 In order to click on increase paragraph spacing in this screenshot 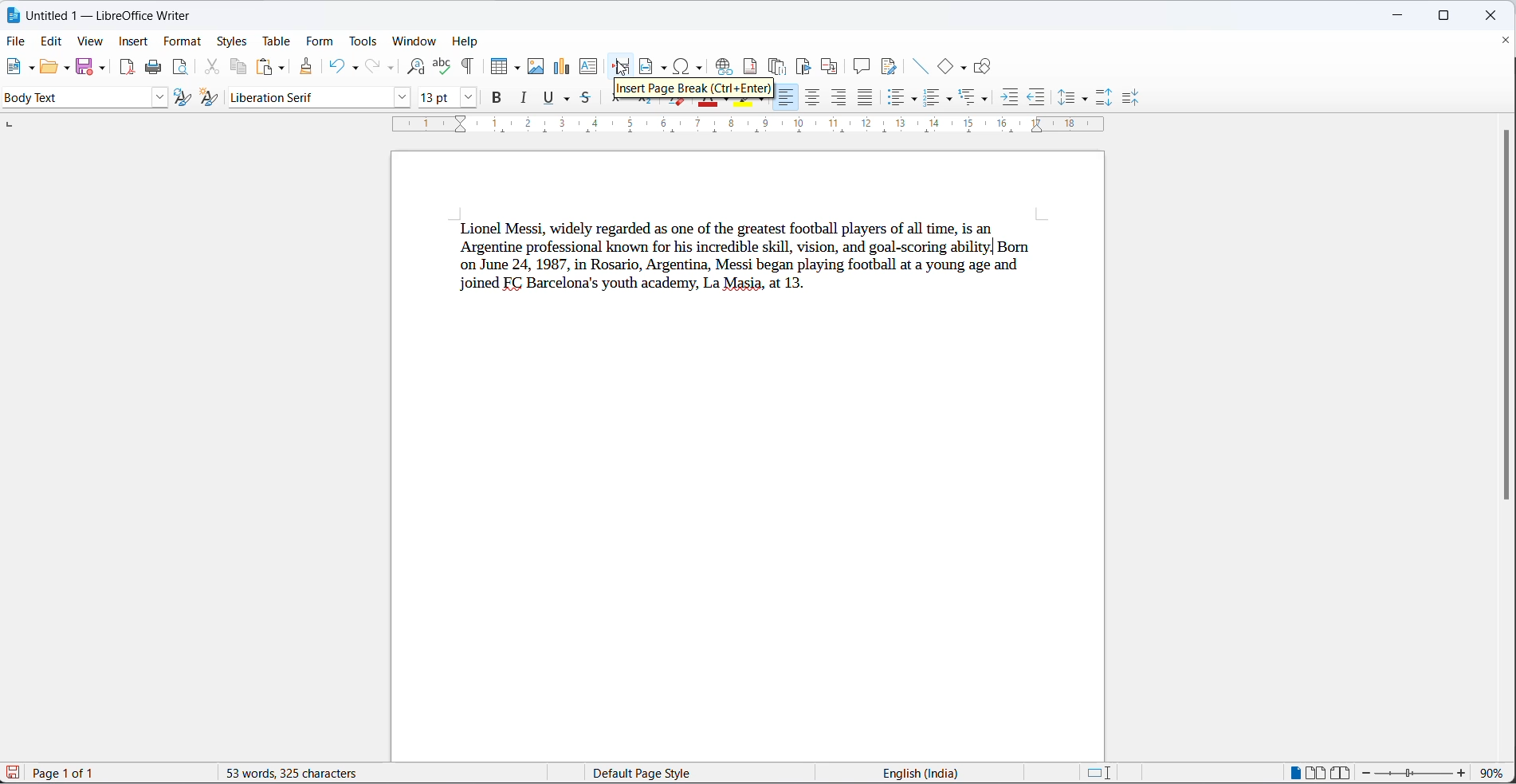, I will do `click(1106, 99)`.